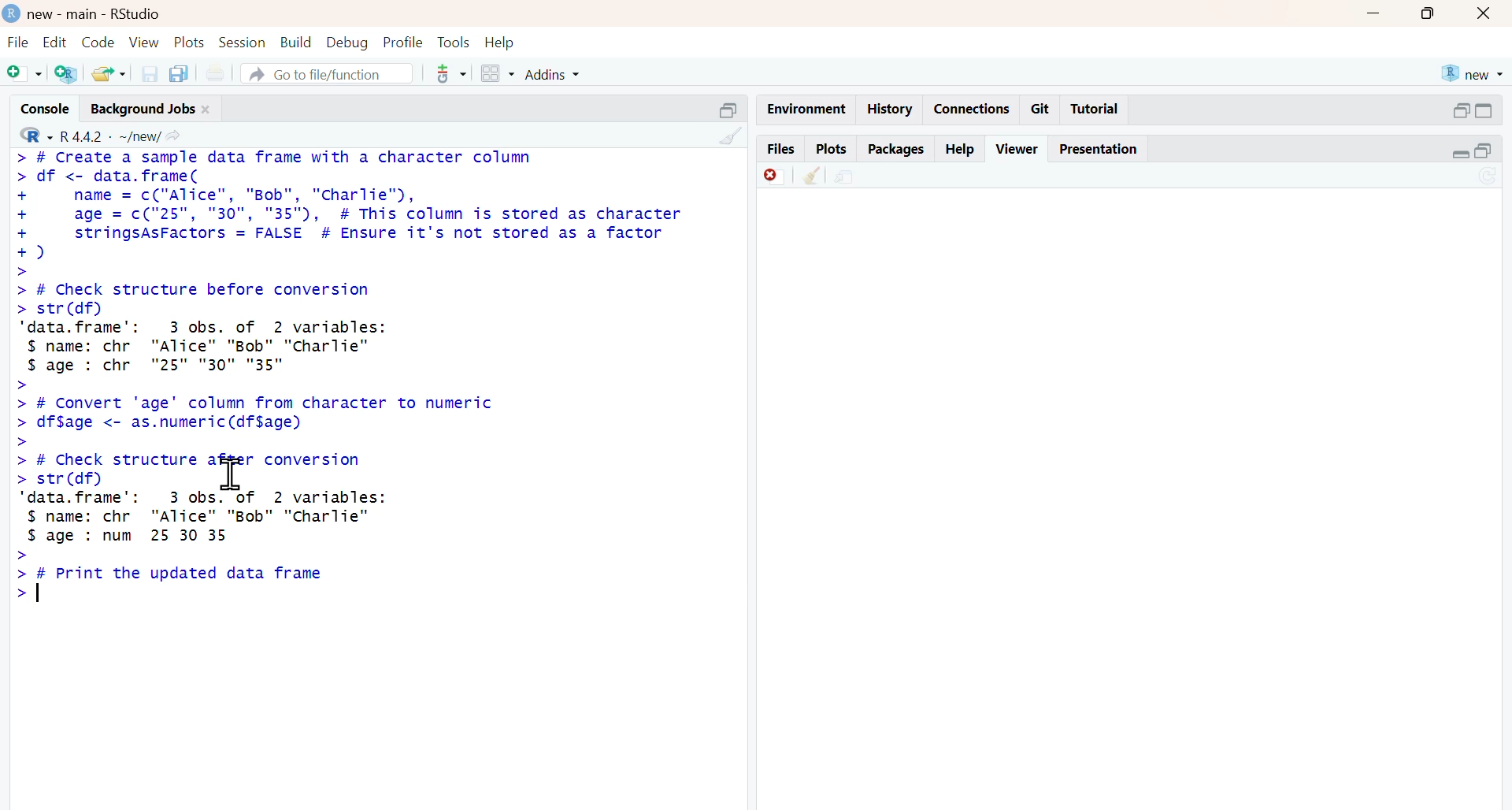 The width and height of the screenshot is (1512, 810). Describe the element at coordinates (111, 73) in the screenshot. I see `share folder as` at that location.